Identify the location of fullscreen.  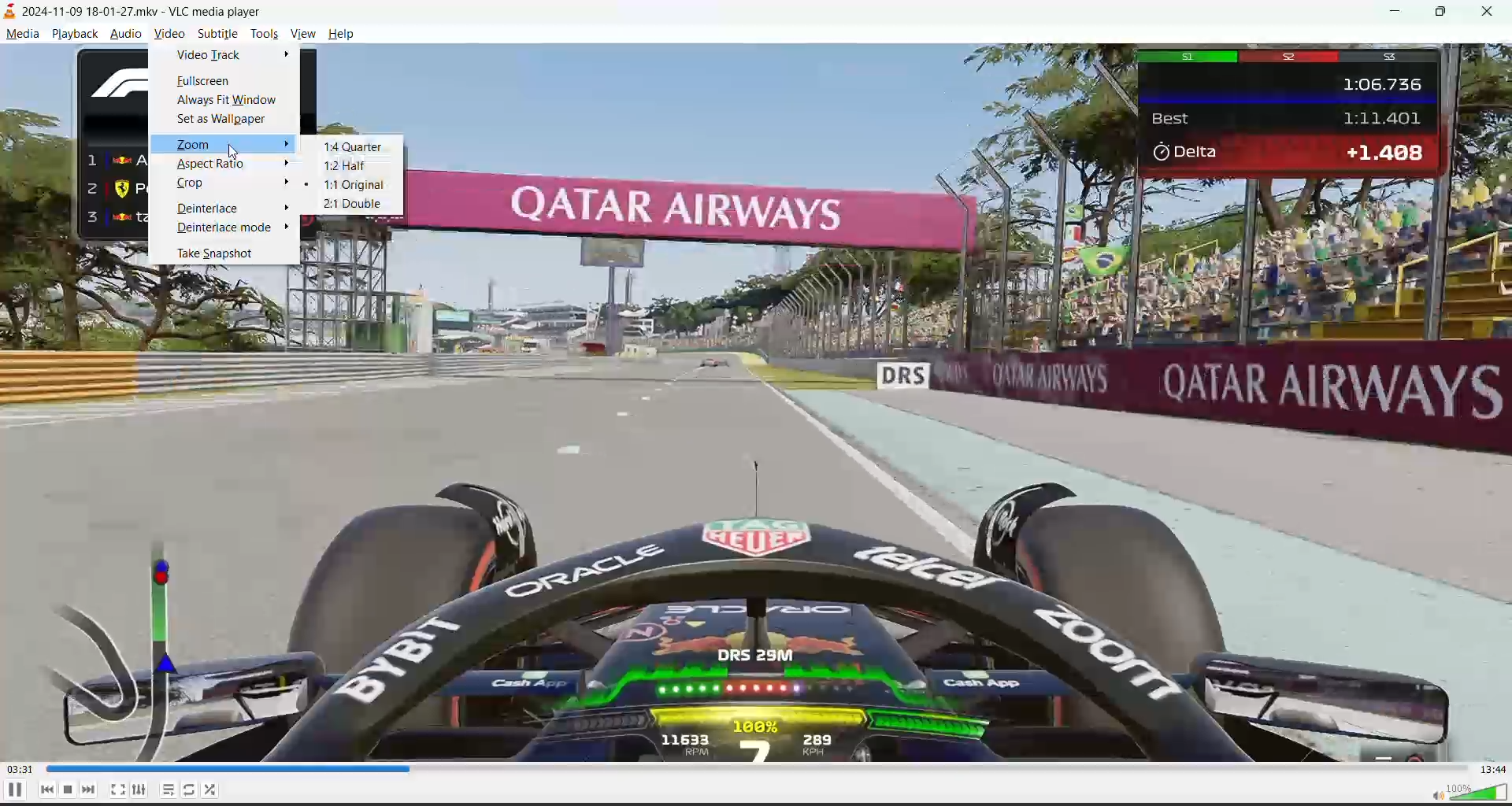
(204, 83).